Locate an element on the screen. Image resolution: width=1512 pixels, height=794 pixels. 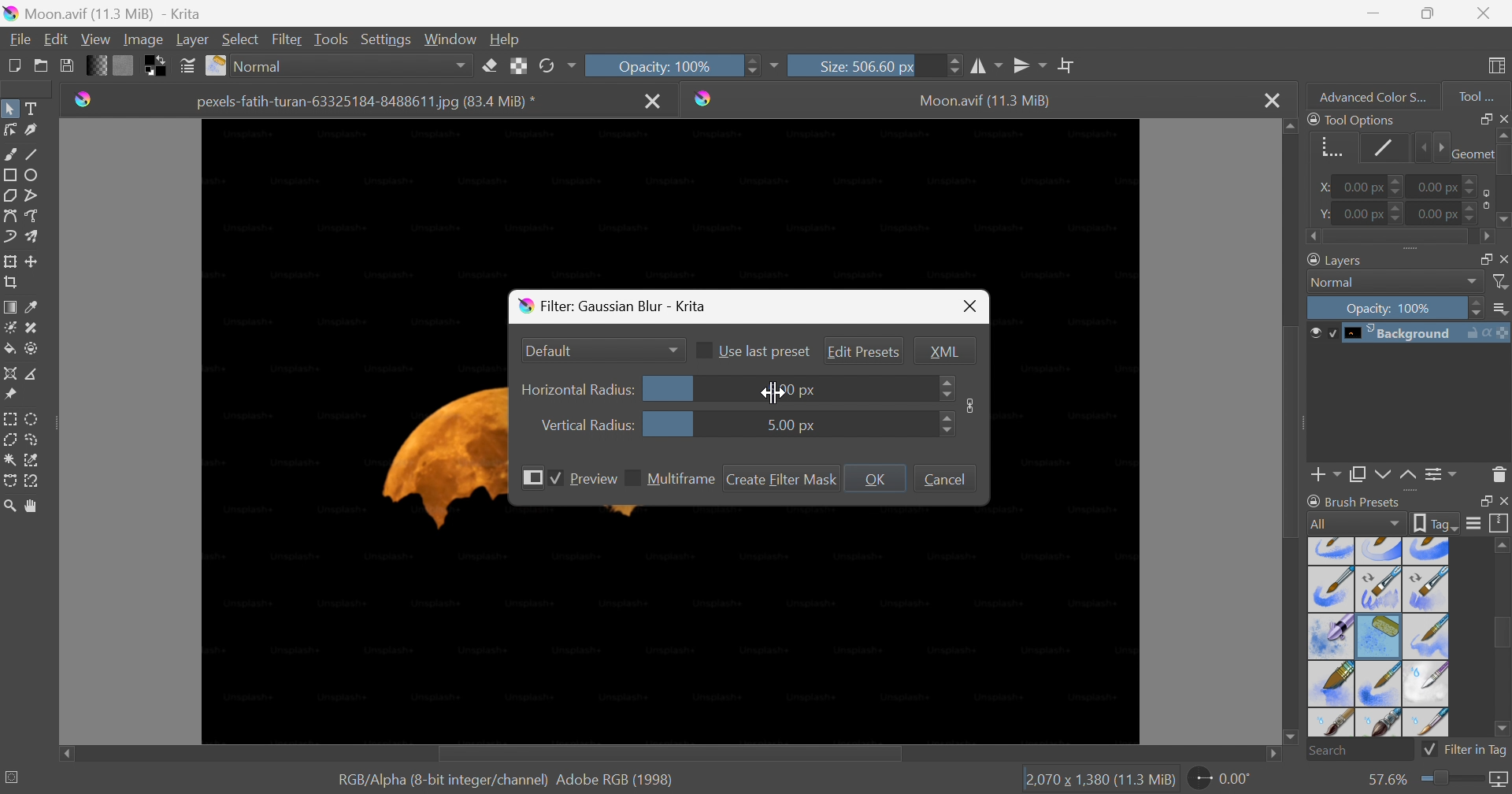
Elliptical selection tool is located at coordinates (33, 420).